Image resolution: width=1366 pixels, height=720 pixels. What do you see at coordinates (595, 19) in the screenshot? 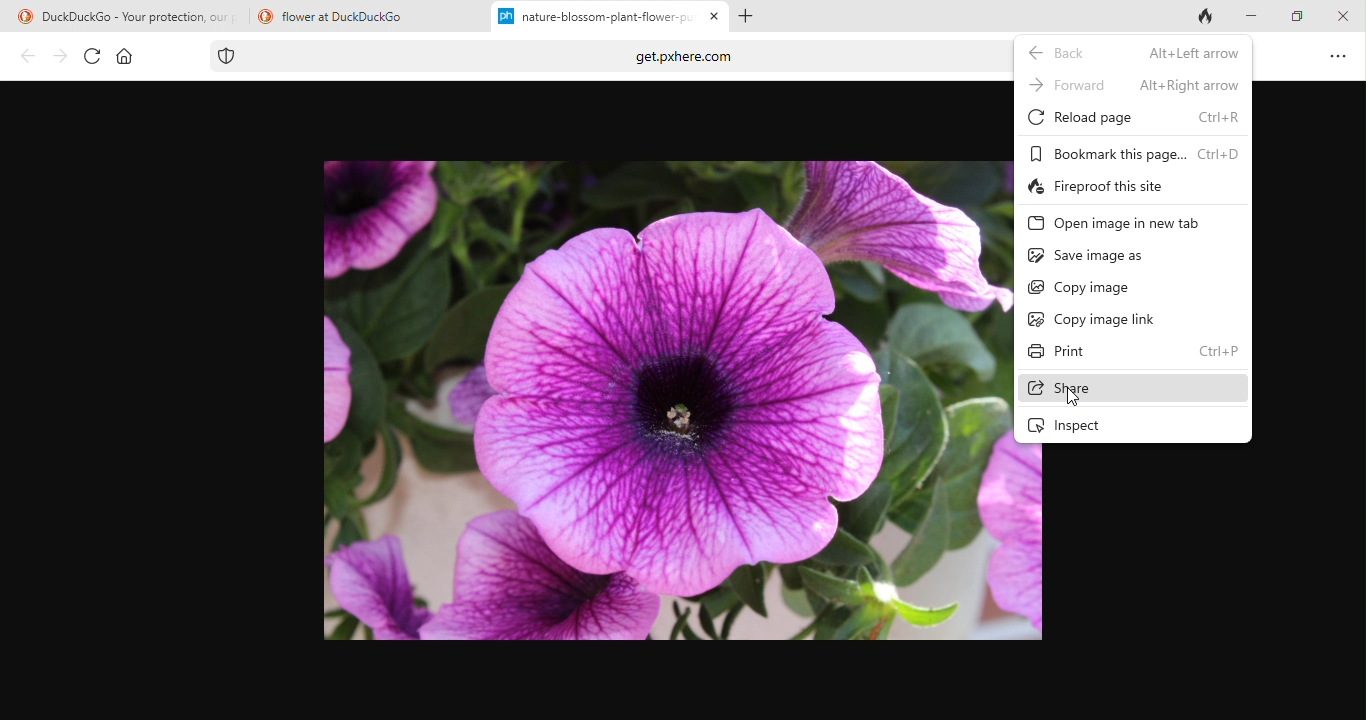
I see ` nature-blossom--plant-flower-` at bounding box center [595, 19].